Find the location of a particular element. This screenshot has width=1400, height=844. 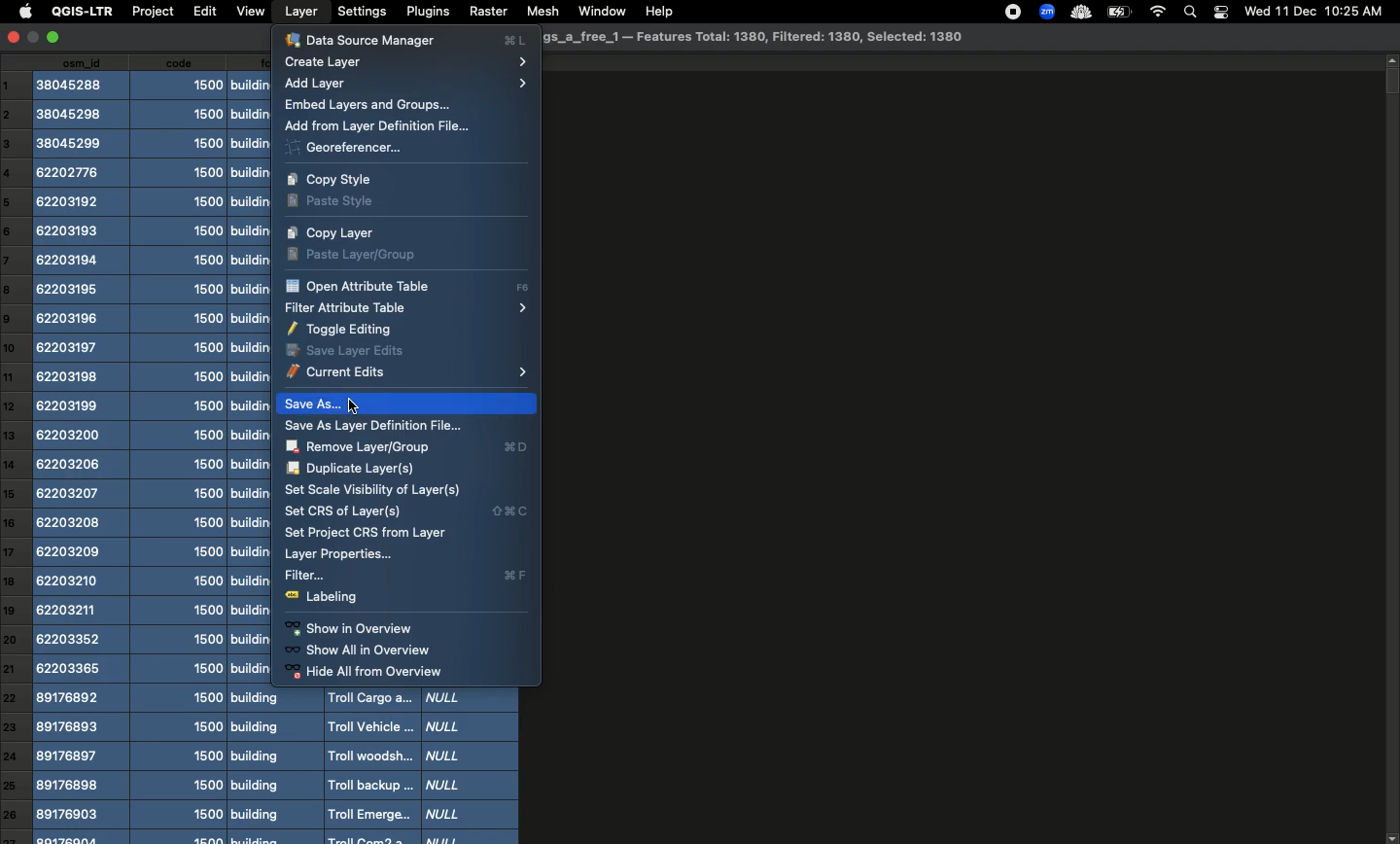

Filter attribute table is located at coordinates (404, 307).